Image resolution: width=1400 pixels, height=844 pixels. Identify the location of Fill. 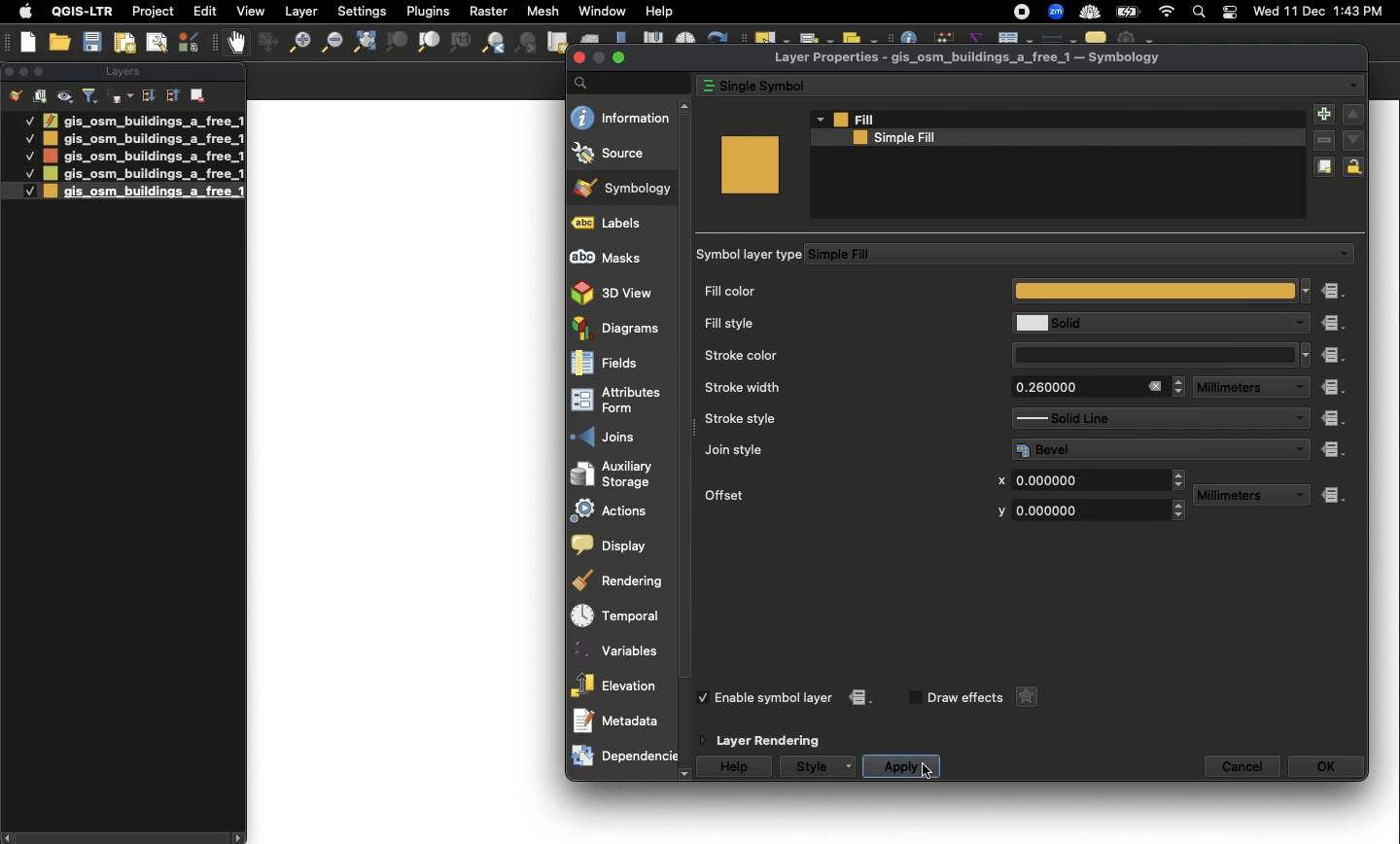
(1059, 120).